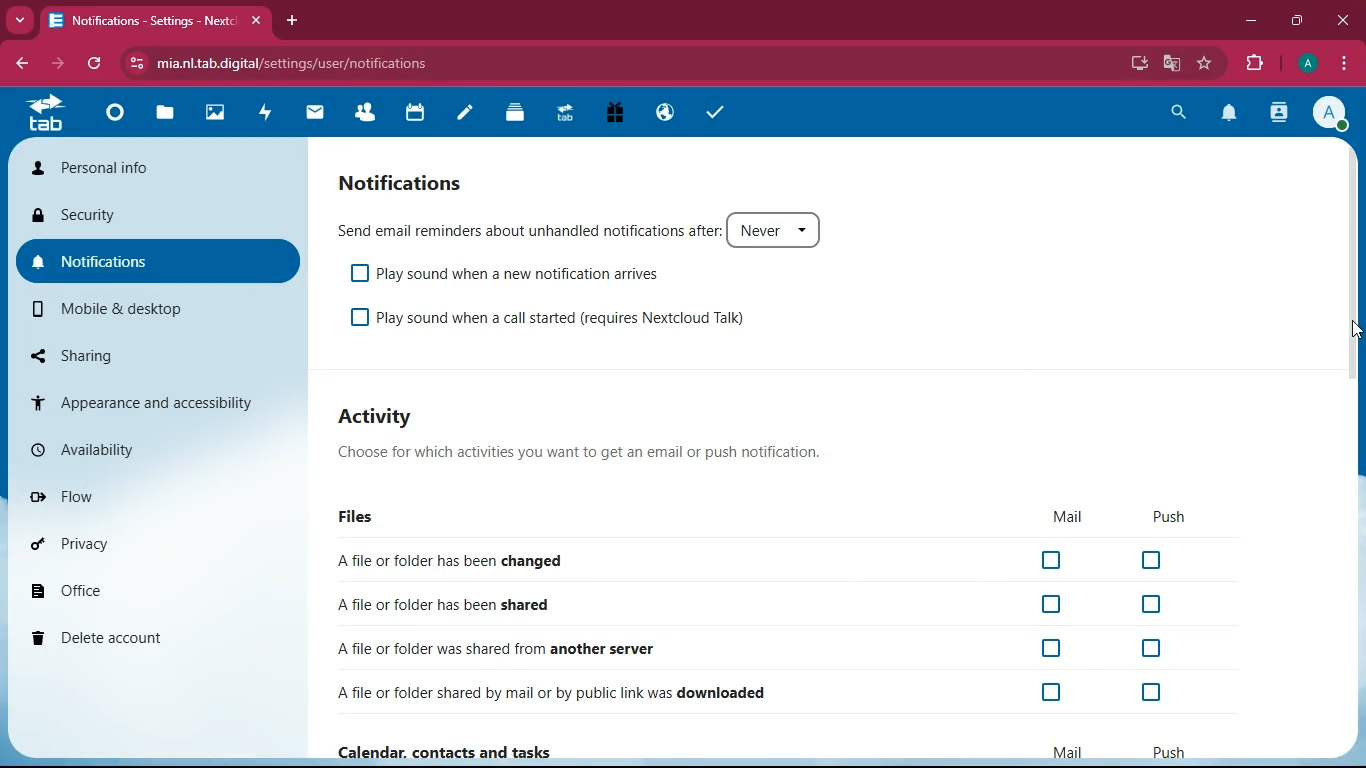 This screenshot has height=768, width=1366. I want to click on View site information, so click(133, 64).